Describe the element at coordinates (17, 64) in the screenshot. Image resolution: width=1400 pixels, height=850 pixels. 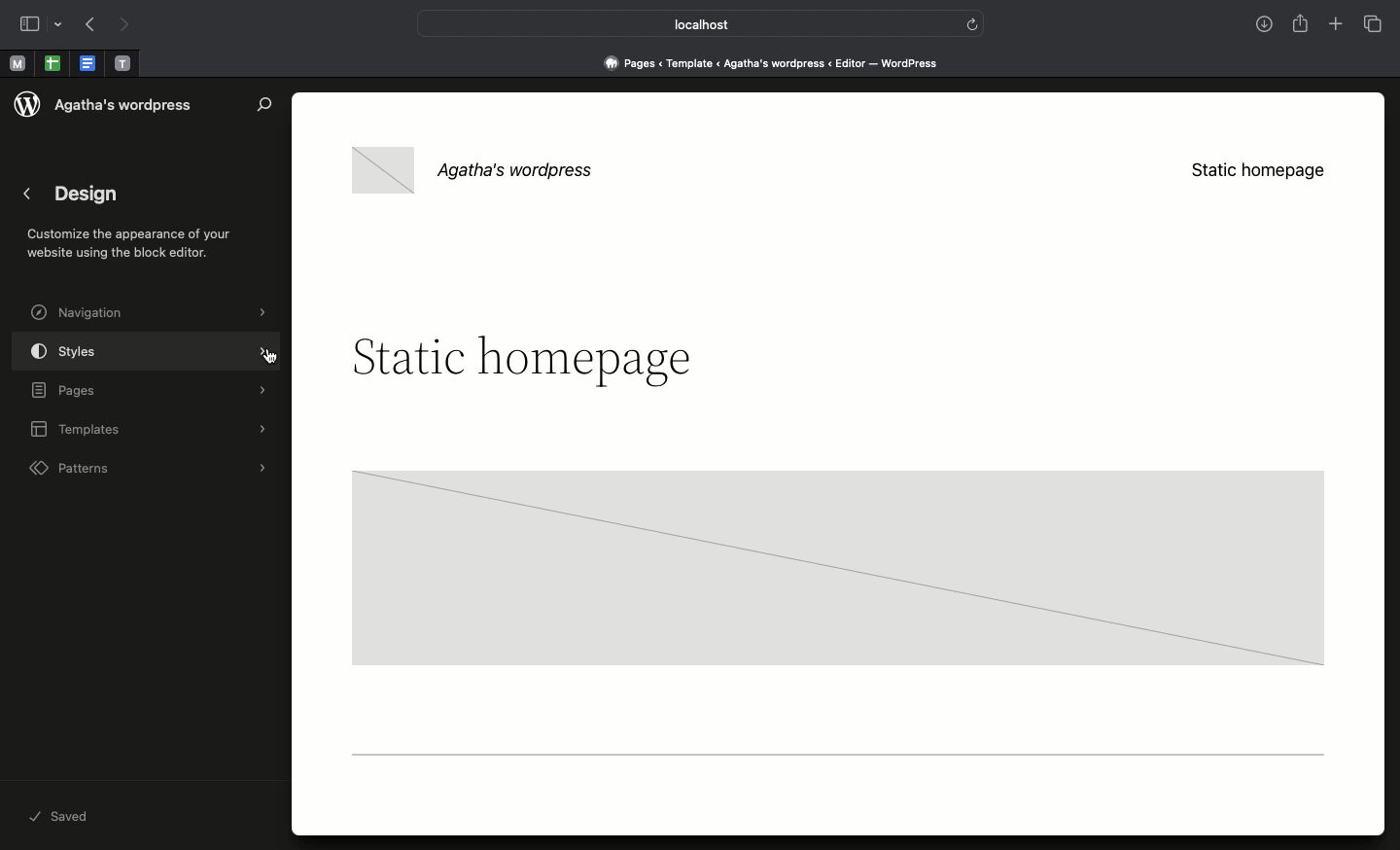
I see `Pinned tab` at that location.